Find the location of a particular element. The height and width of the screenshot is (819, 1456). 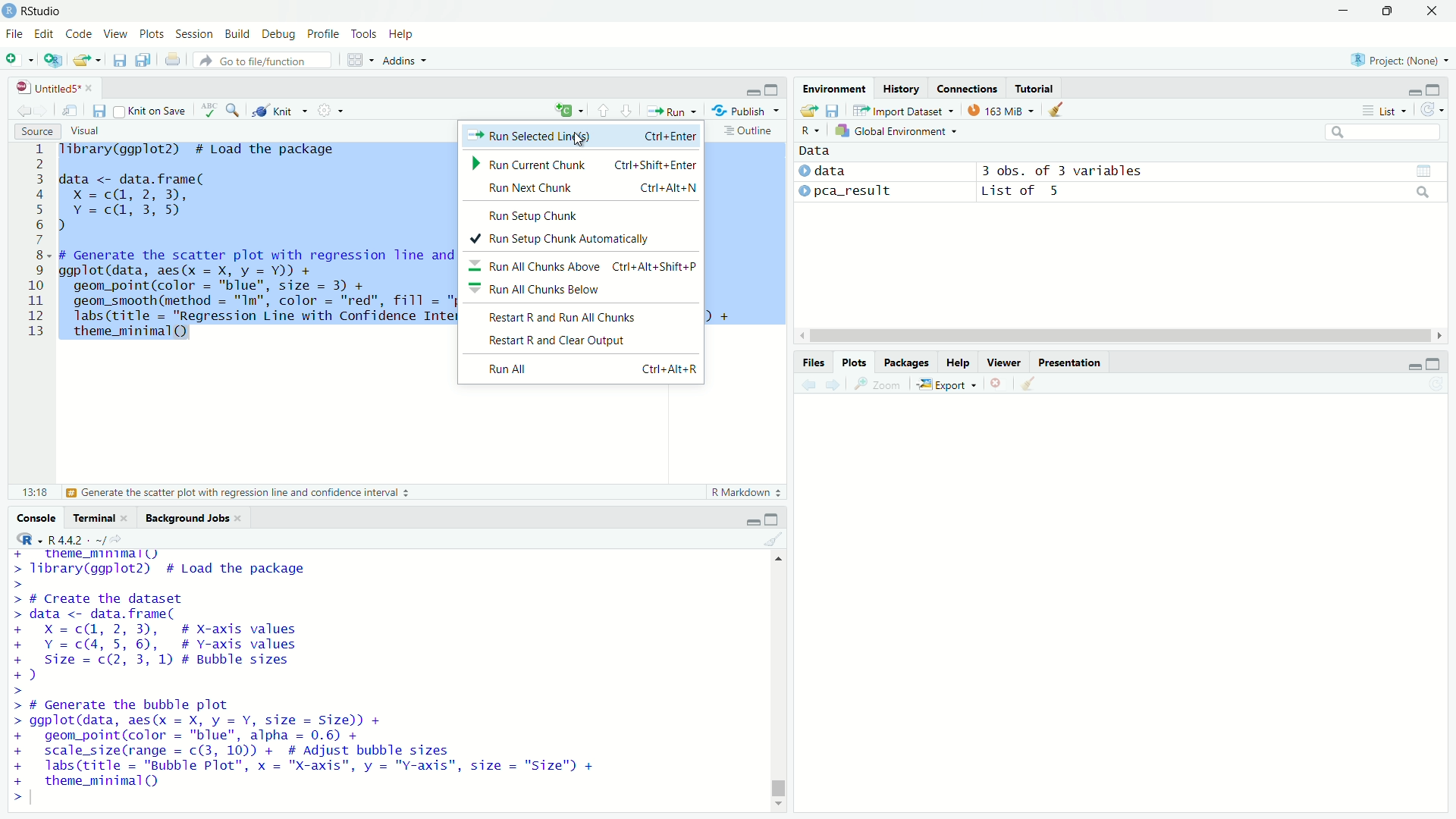

Load workspace is located at coordinates (808, 109).